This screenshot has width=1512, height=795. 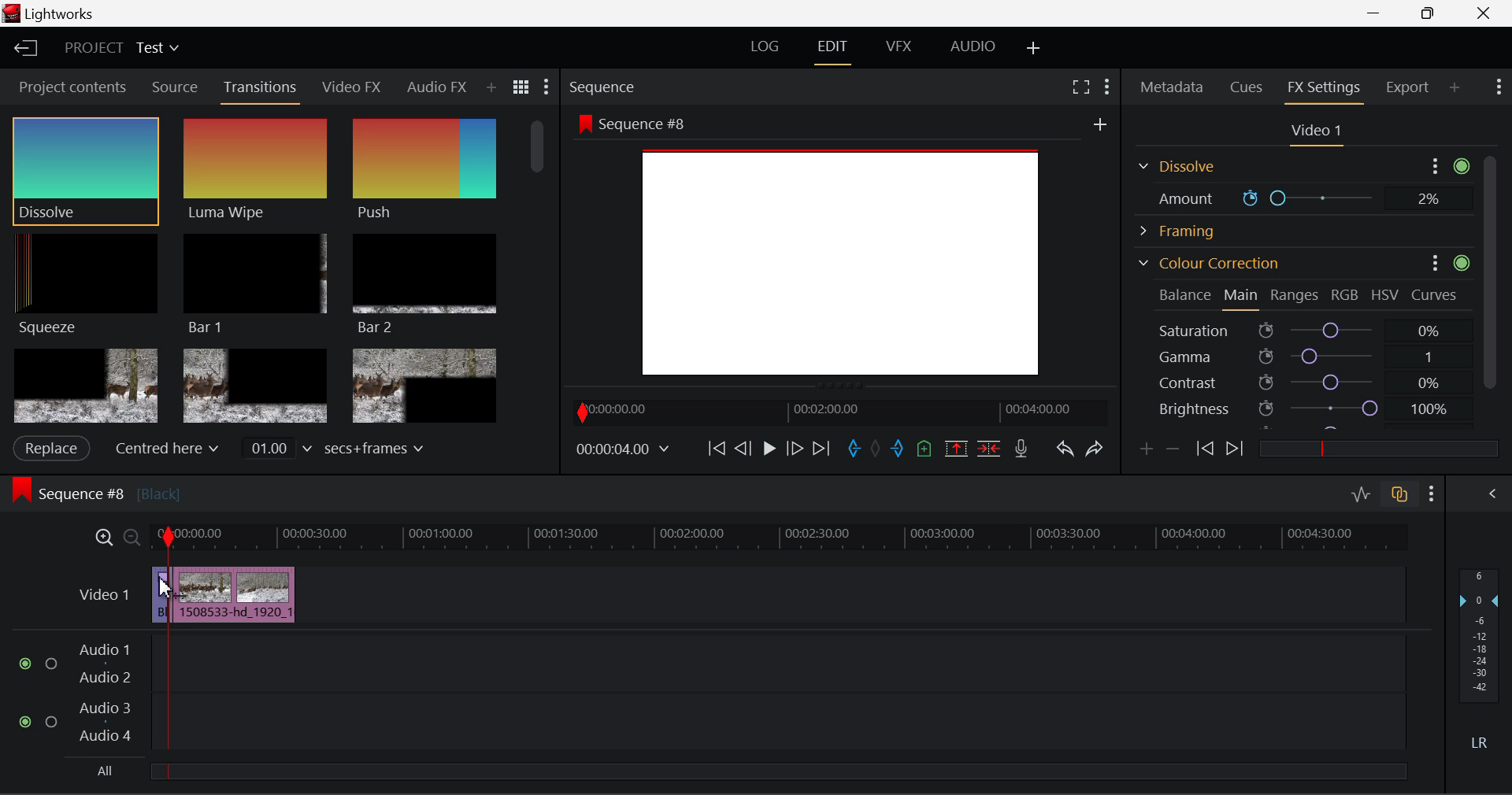 I want to click on To End, so click(x=821, y=449).